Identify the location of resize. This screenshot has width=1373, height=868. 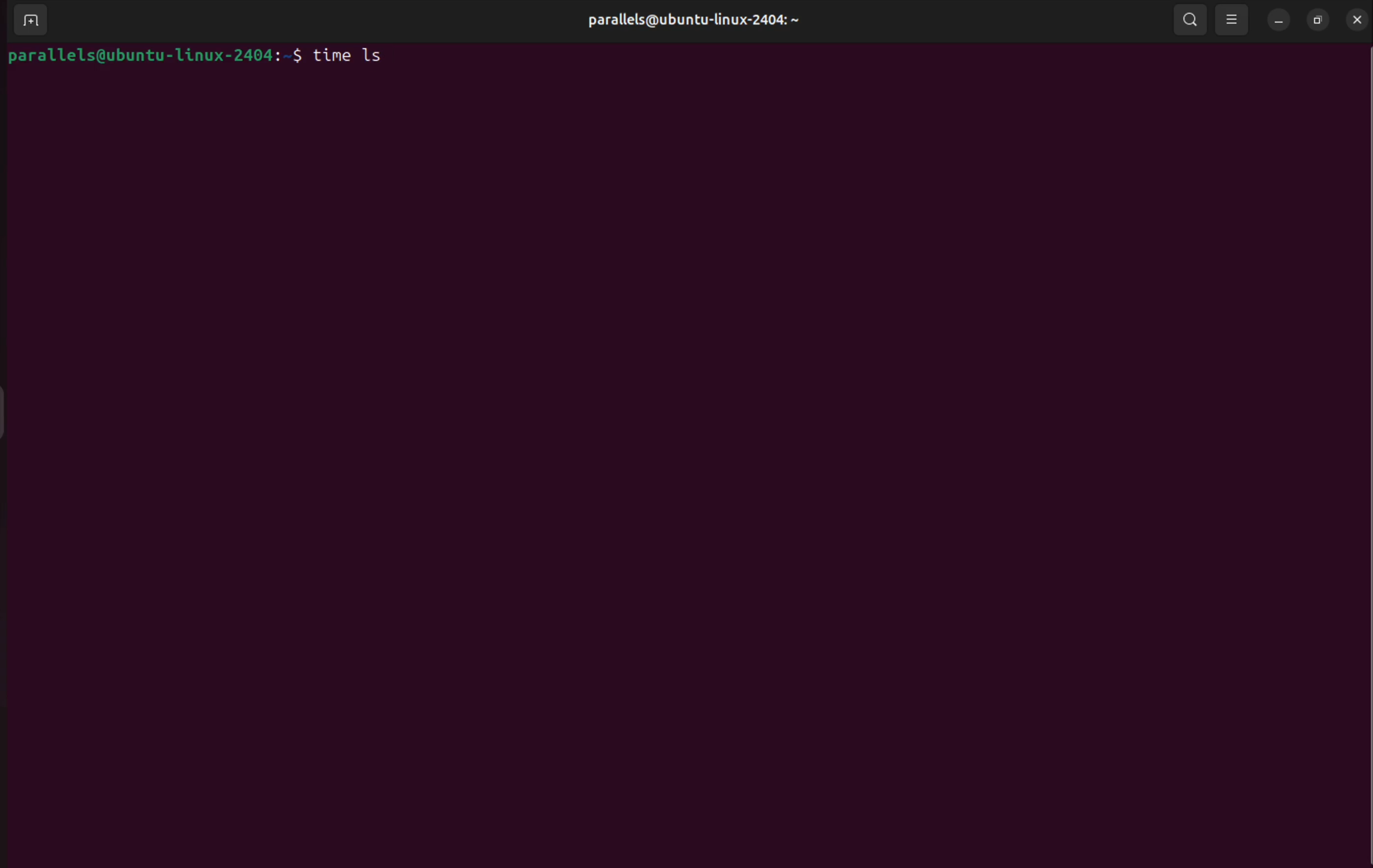
(1233, 18).